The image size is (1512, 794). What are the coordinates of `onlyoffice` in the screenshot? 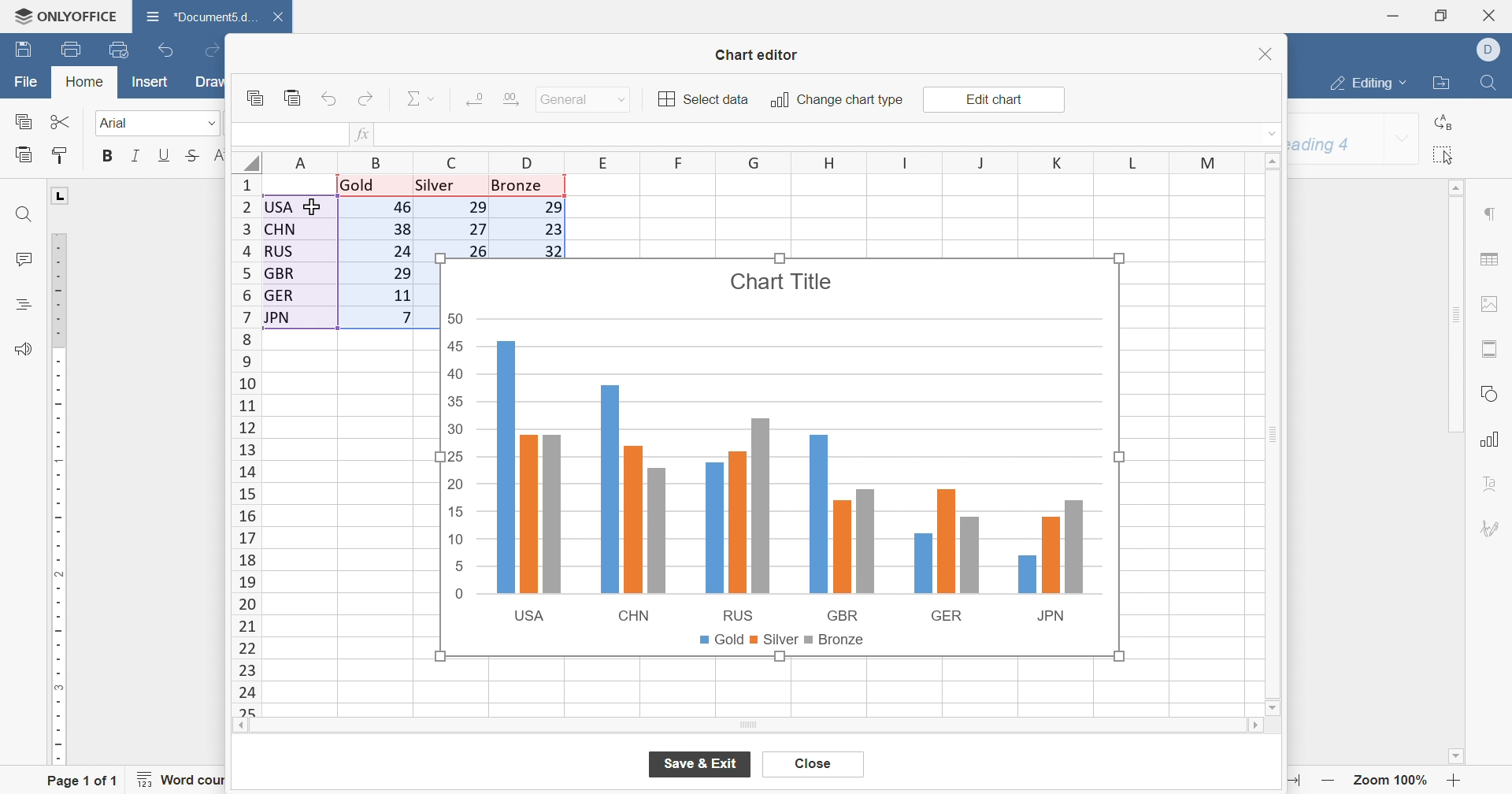 It's located at (66, 16).